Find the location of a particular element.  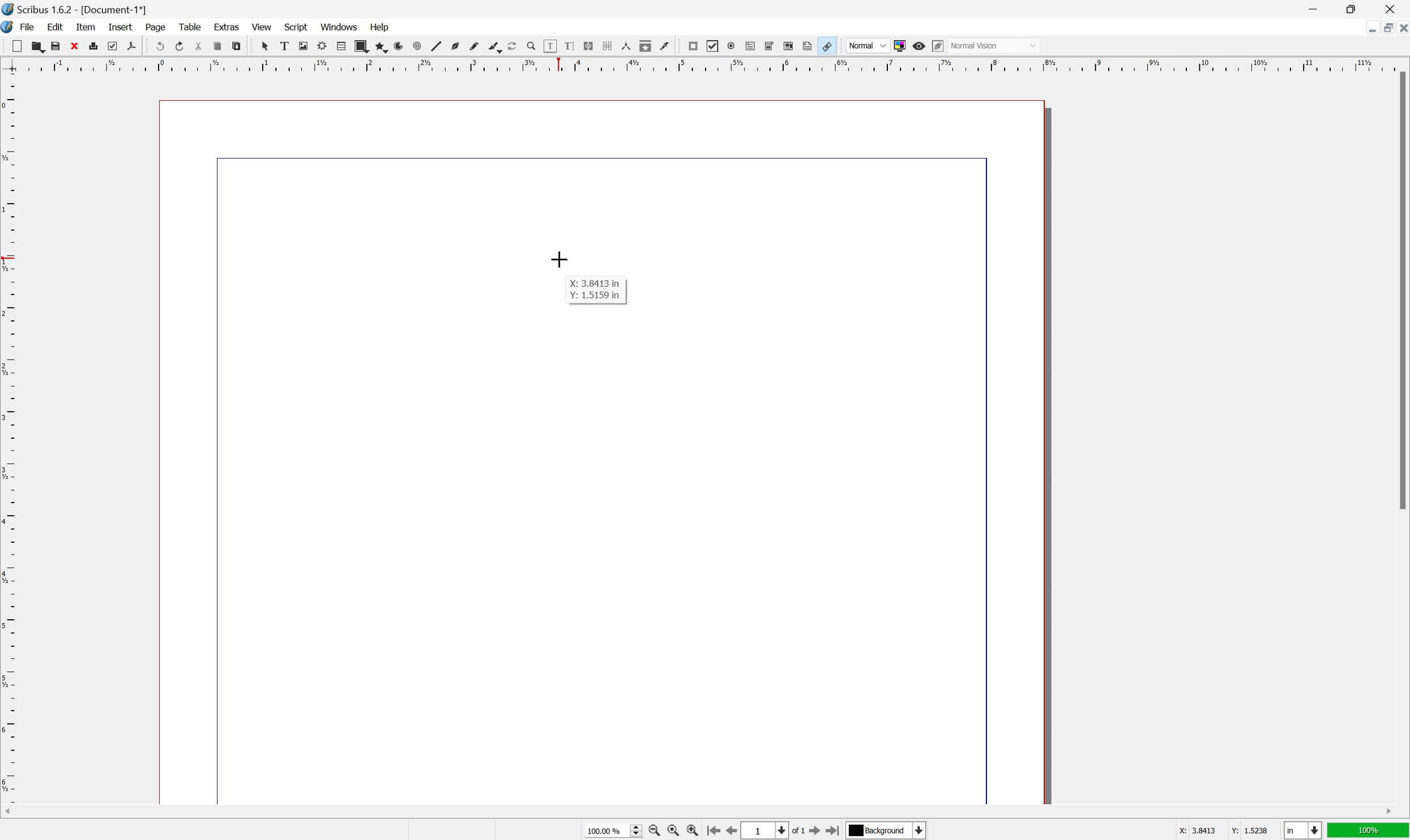

arc is located at coordinates (399, 46).